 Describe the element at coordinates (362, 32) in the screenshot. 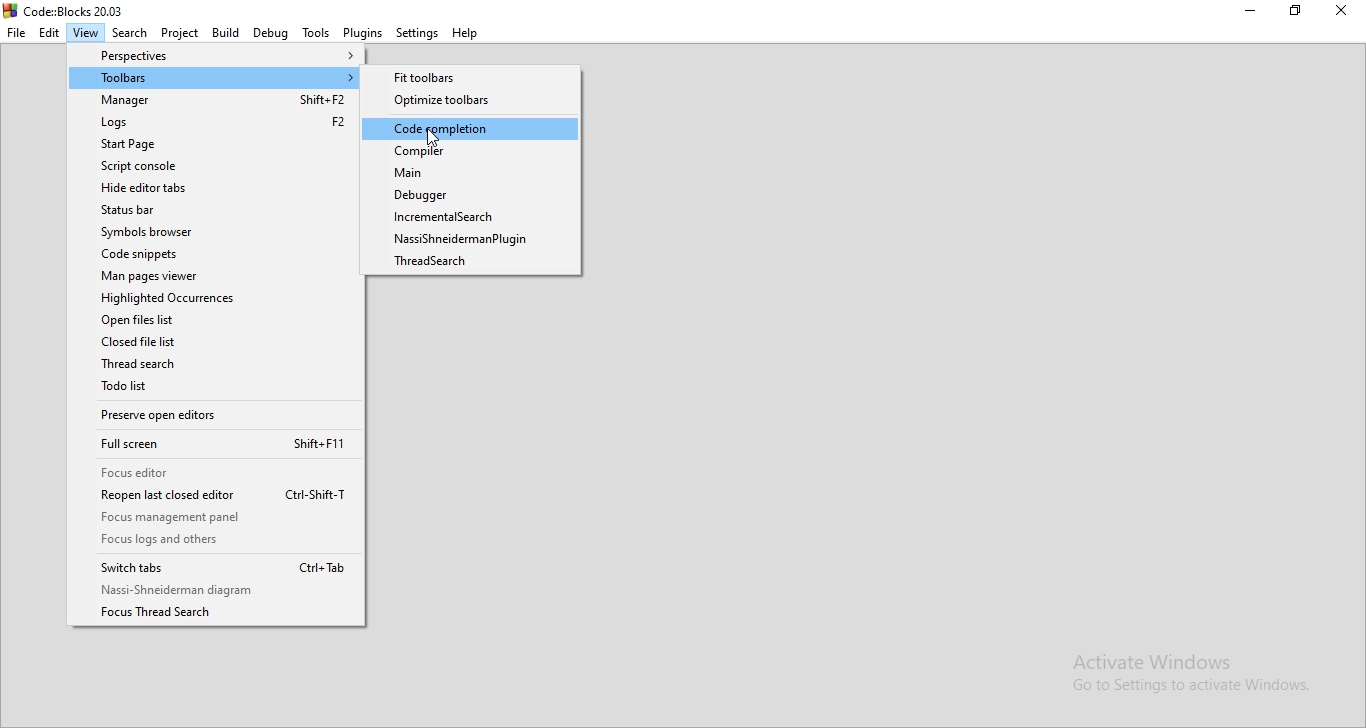

I see `Plugins ` at that location.